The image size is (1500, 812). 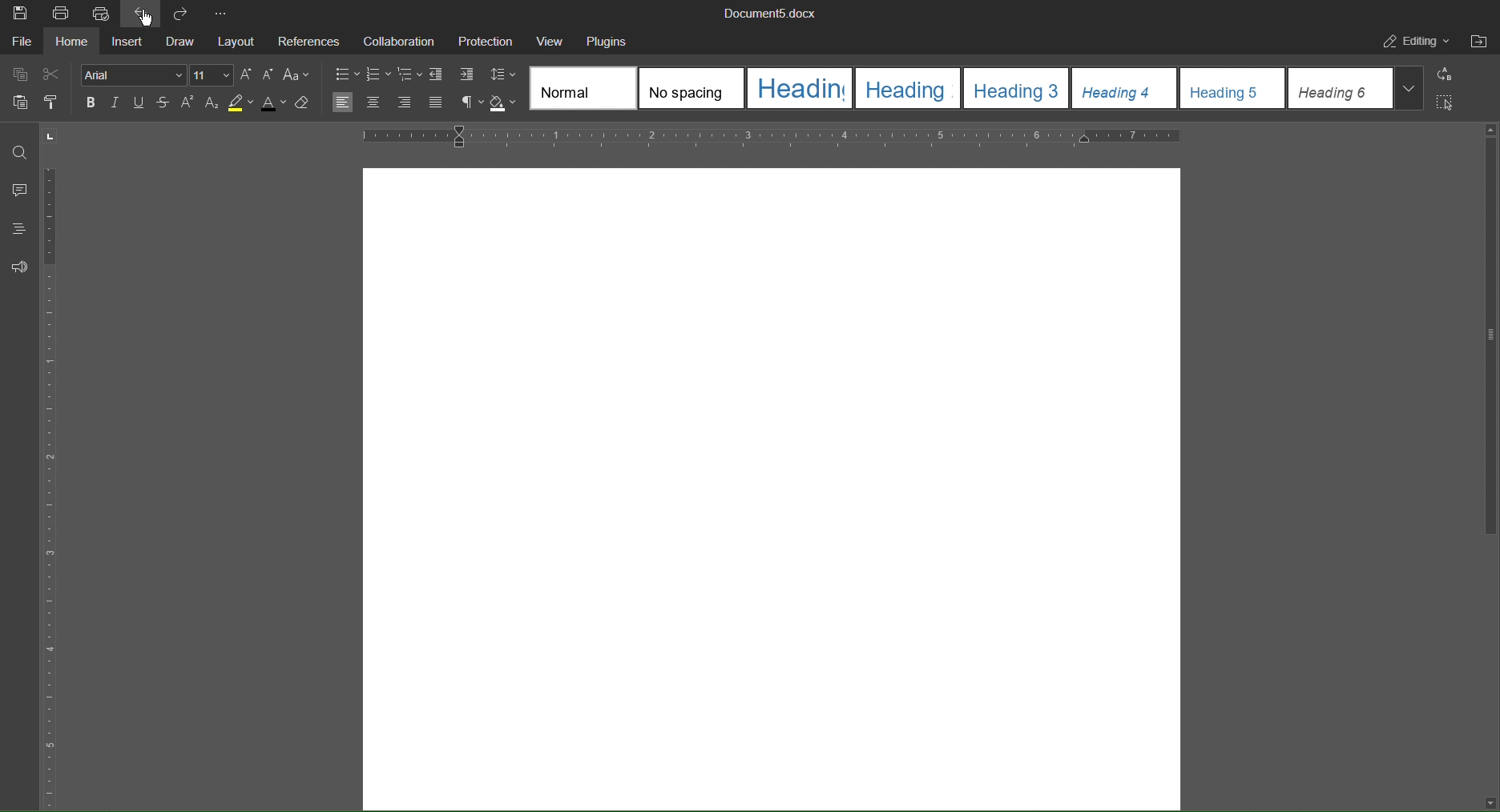 I want to click on Home, so click(x=75, y=42).